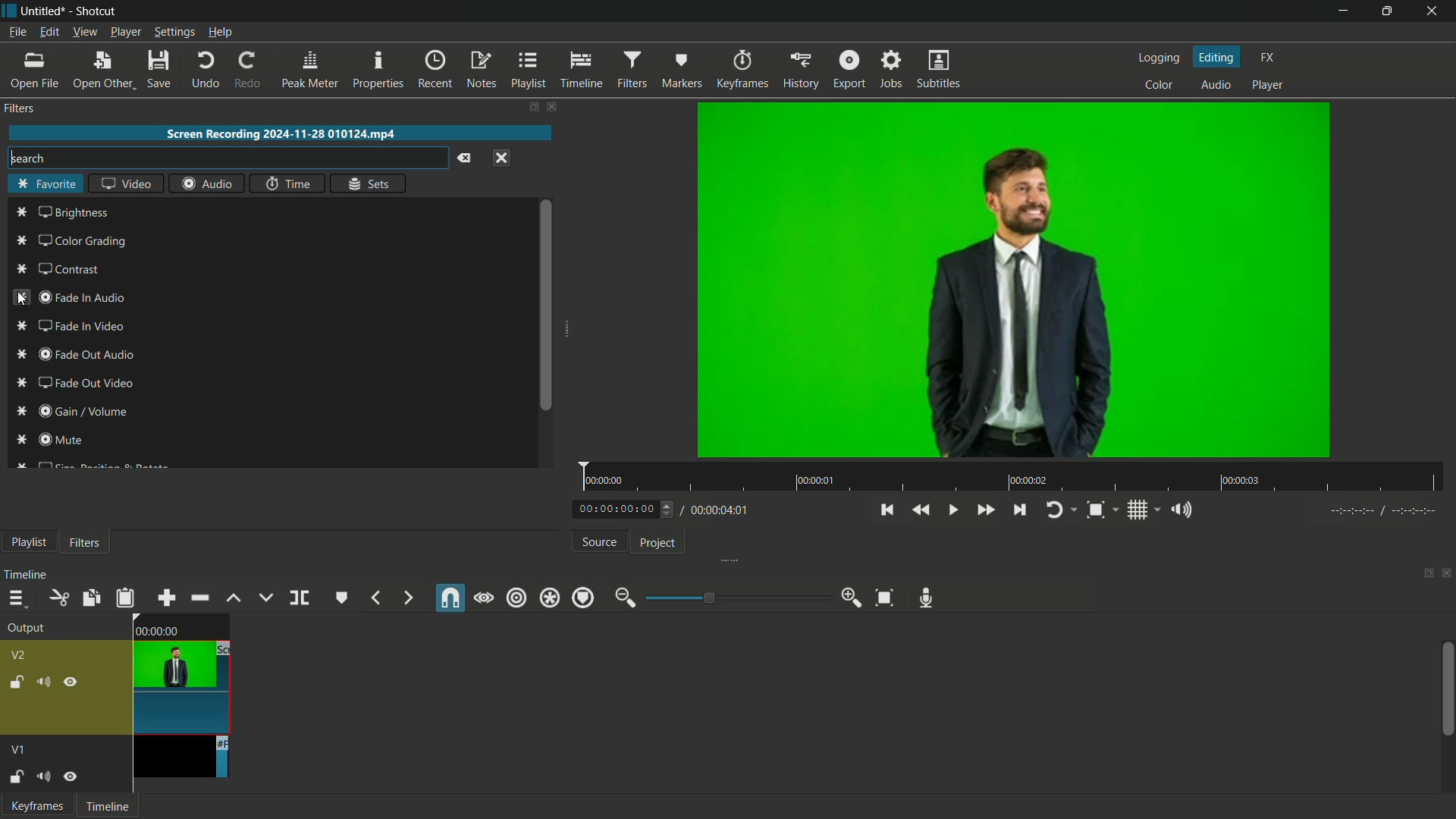  What do you see at coordinates (22, 111) in the screenshot?
I see `filters` at bounding box center [22, 111].